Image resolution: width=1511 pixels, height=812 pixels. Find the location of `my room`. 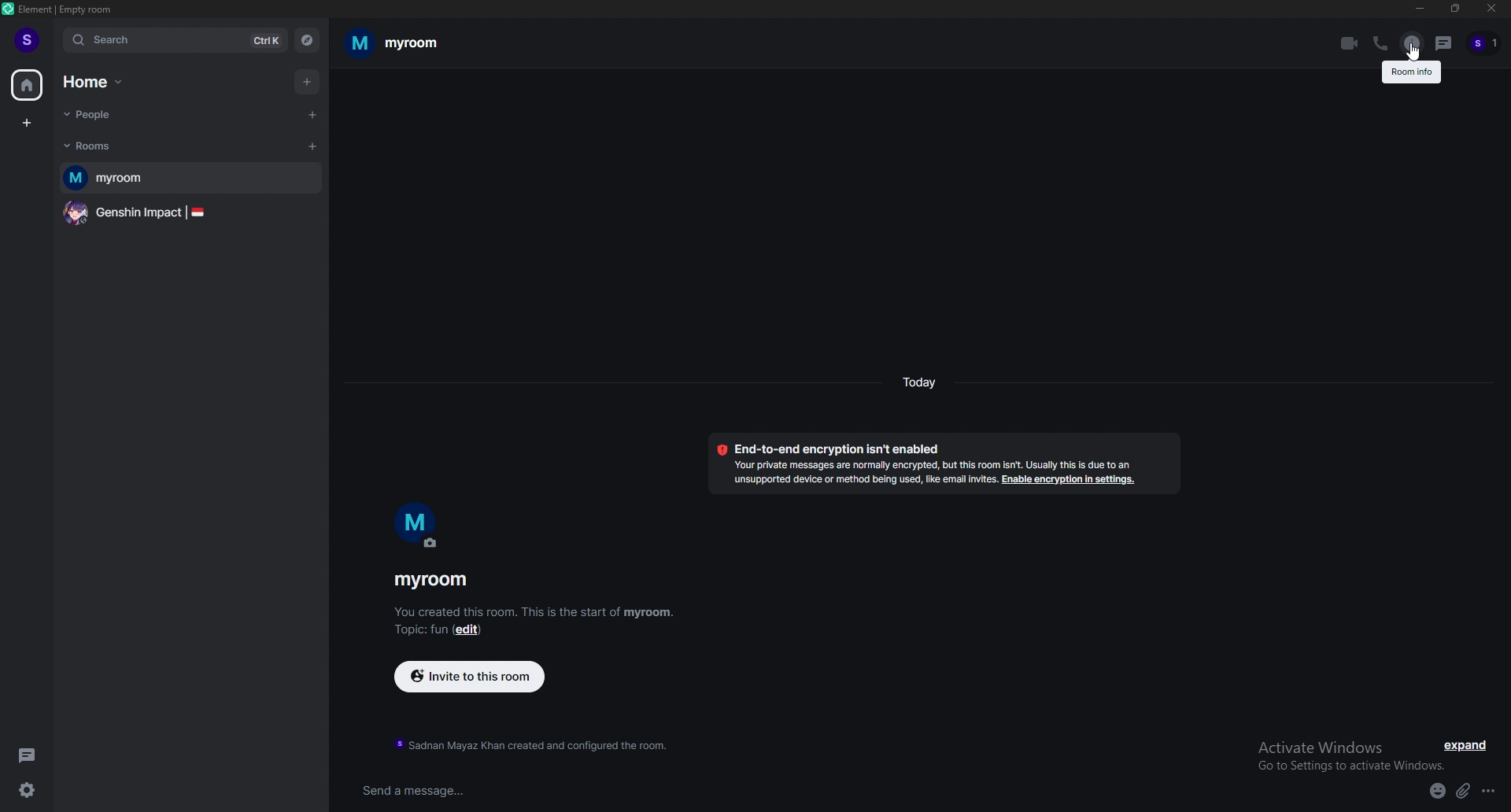

my room is located at coordinates (403, 42).